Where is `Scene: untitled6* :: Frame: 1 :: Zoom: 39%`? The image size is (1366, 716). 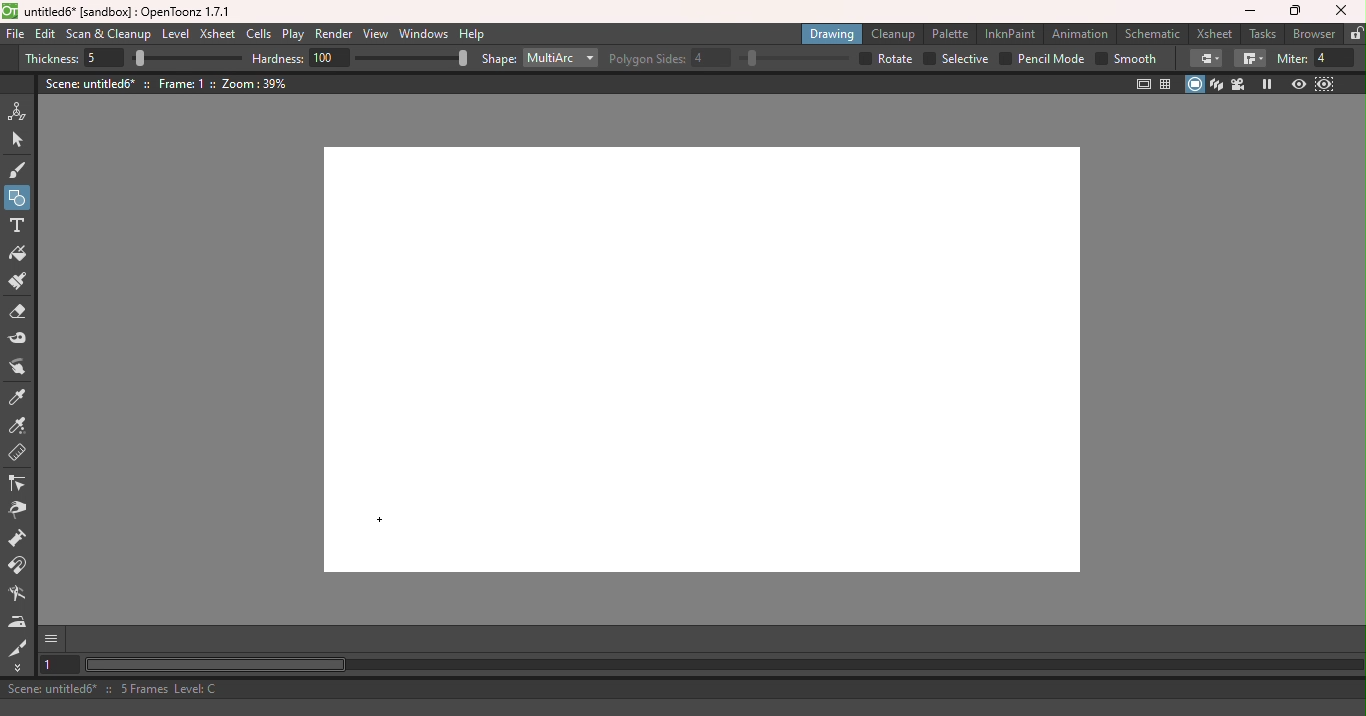
Scene: untitled6* :: Frame: 1 :: Zoom: 39% is located at coordinates (167, 83).